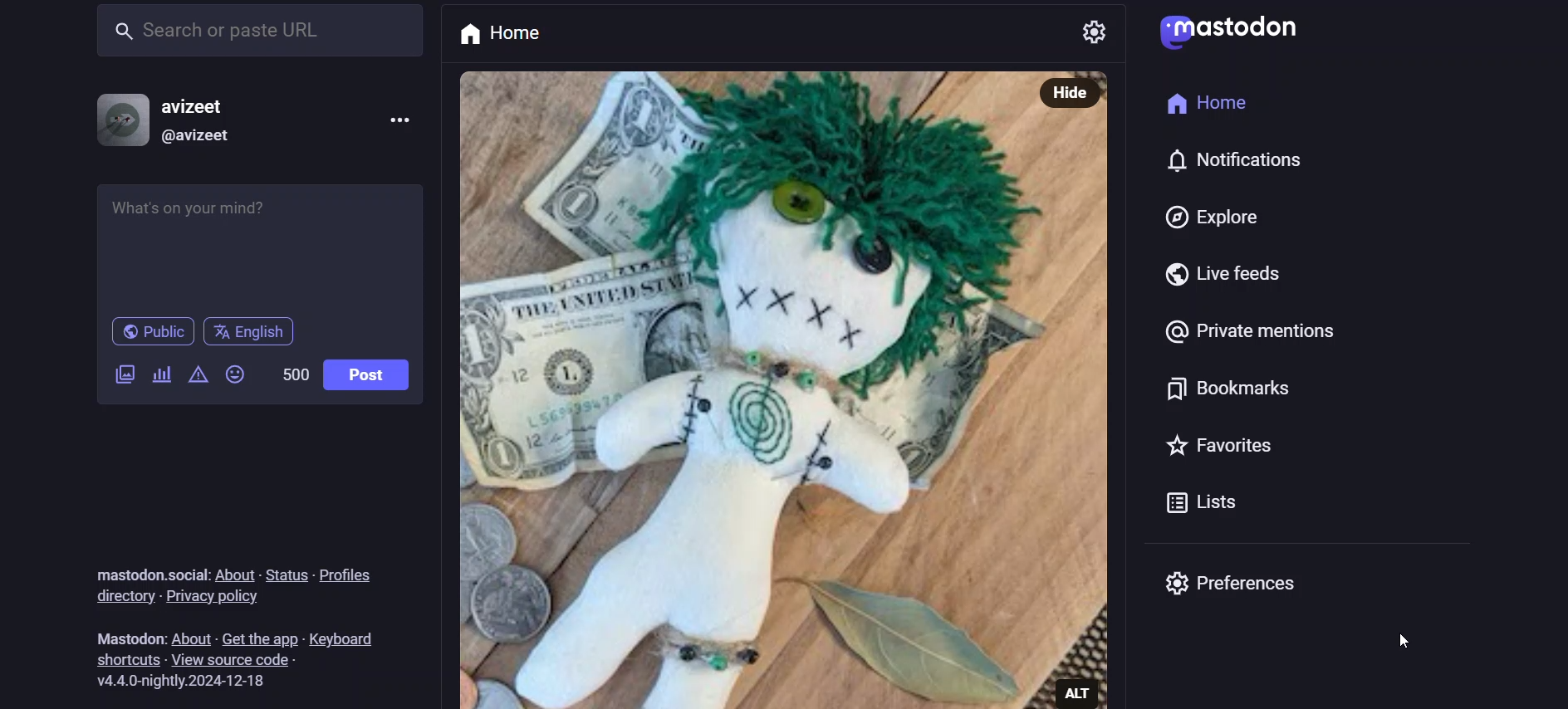 The image size is (1568, 709). What do you see at coordinates (230, 599) in the screenshot?
I see `privacy policy` at bounding box center [230, 599].